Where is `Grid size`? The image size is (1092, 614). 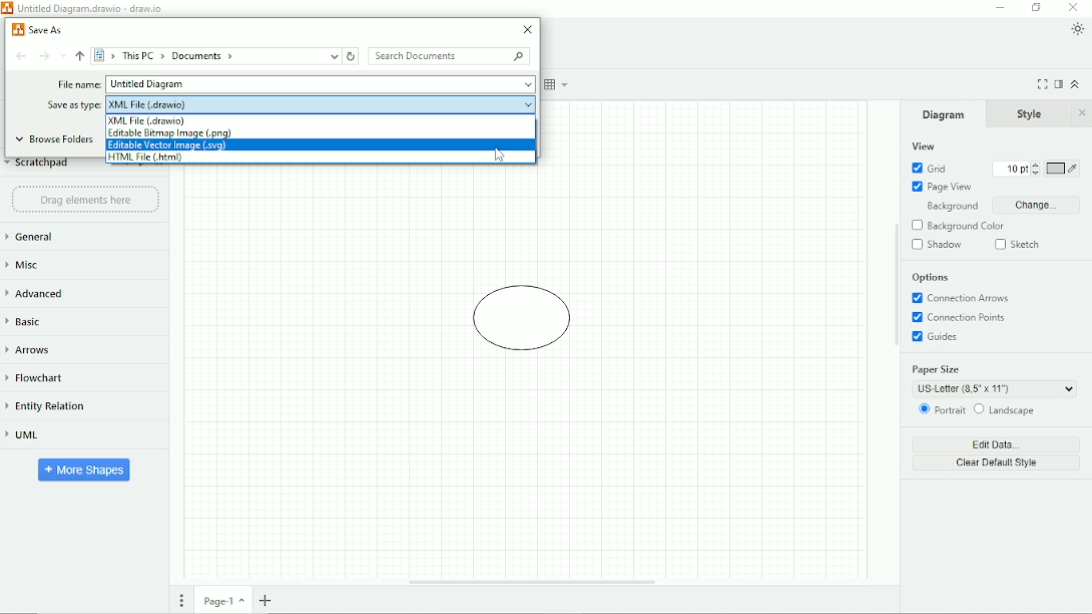 Grid size is located at coordinates (1017, 169).